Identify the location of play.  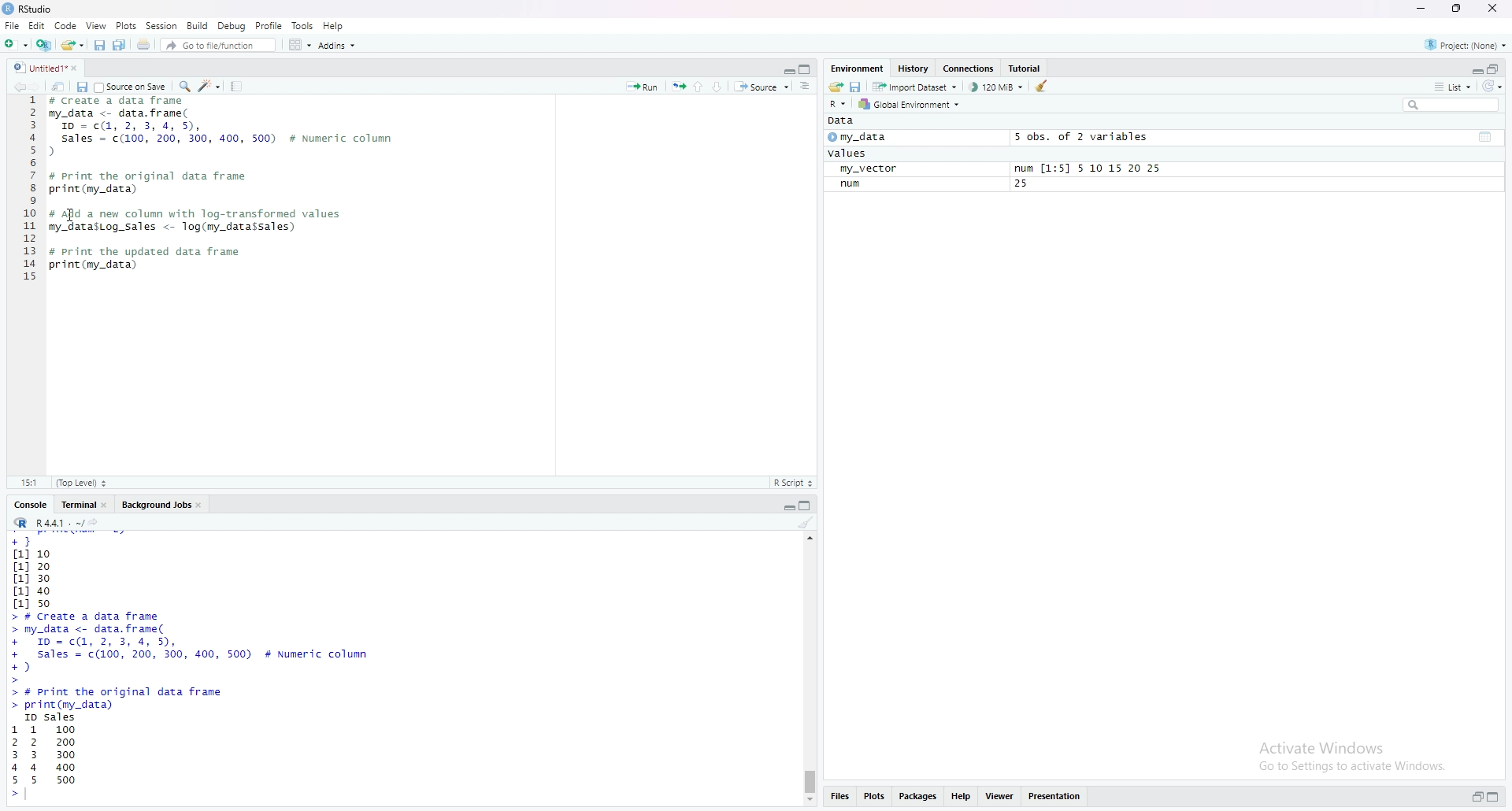
(831, 139).